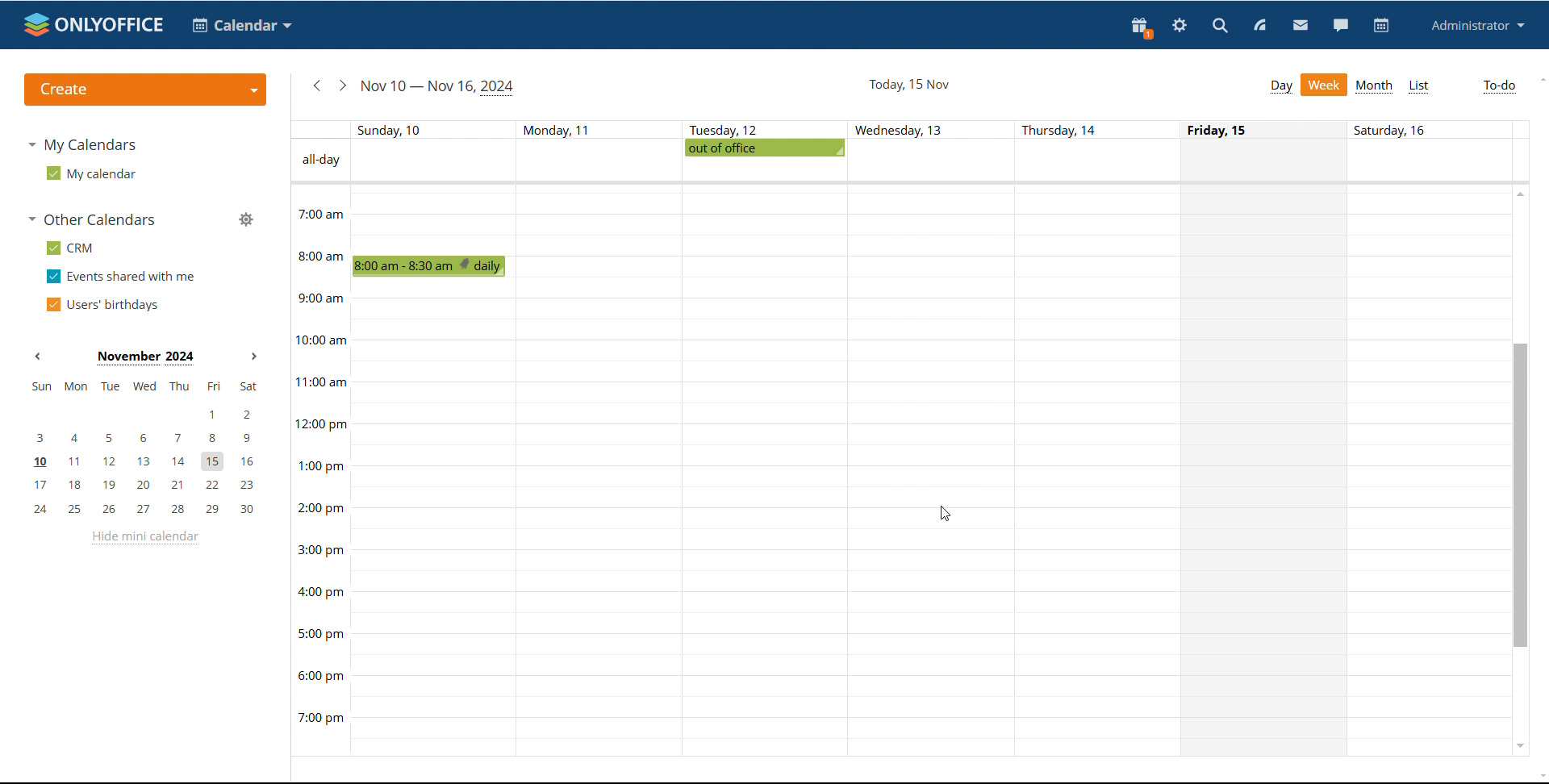 Image resolution: width=1549 pixels, height=784 pixels. I want to click on 3, 4, 5, 6, 7, 8, 9, so click(148, 439).